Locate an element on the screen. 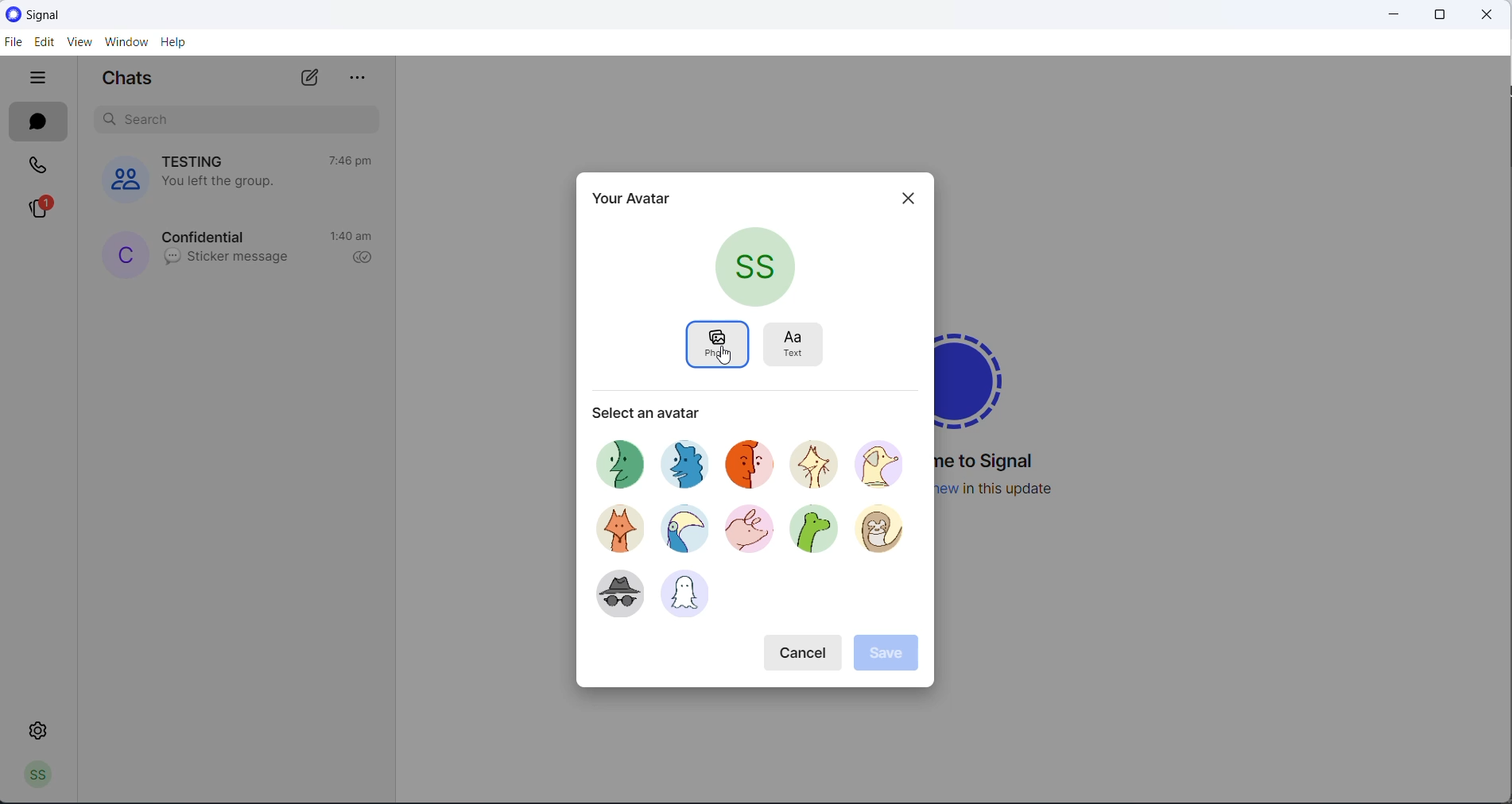 This screenshot has width=1512, height=804. minimize is located at coordinates (1387, 14).